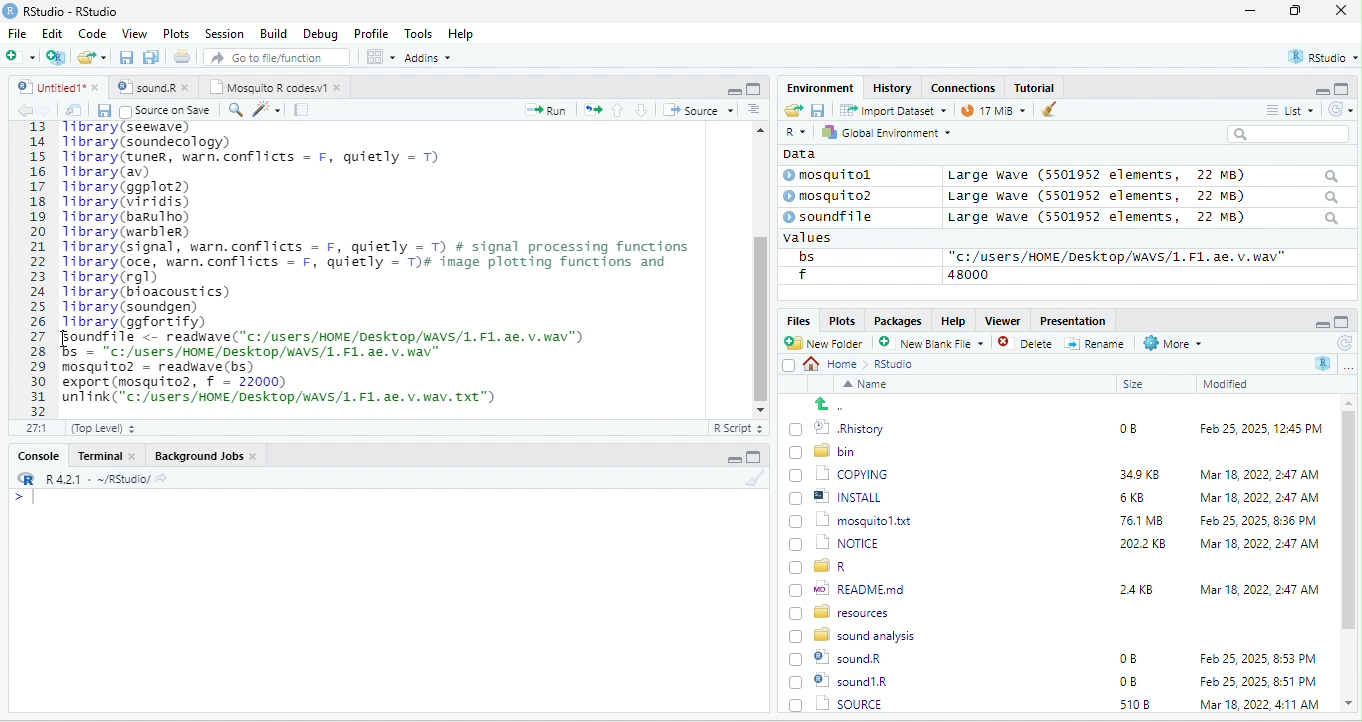 Image resolution: width=1362 pixels, height=722 pixels. I want to click on 76.1 MB, so click(1141, 519).